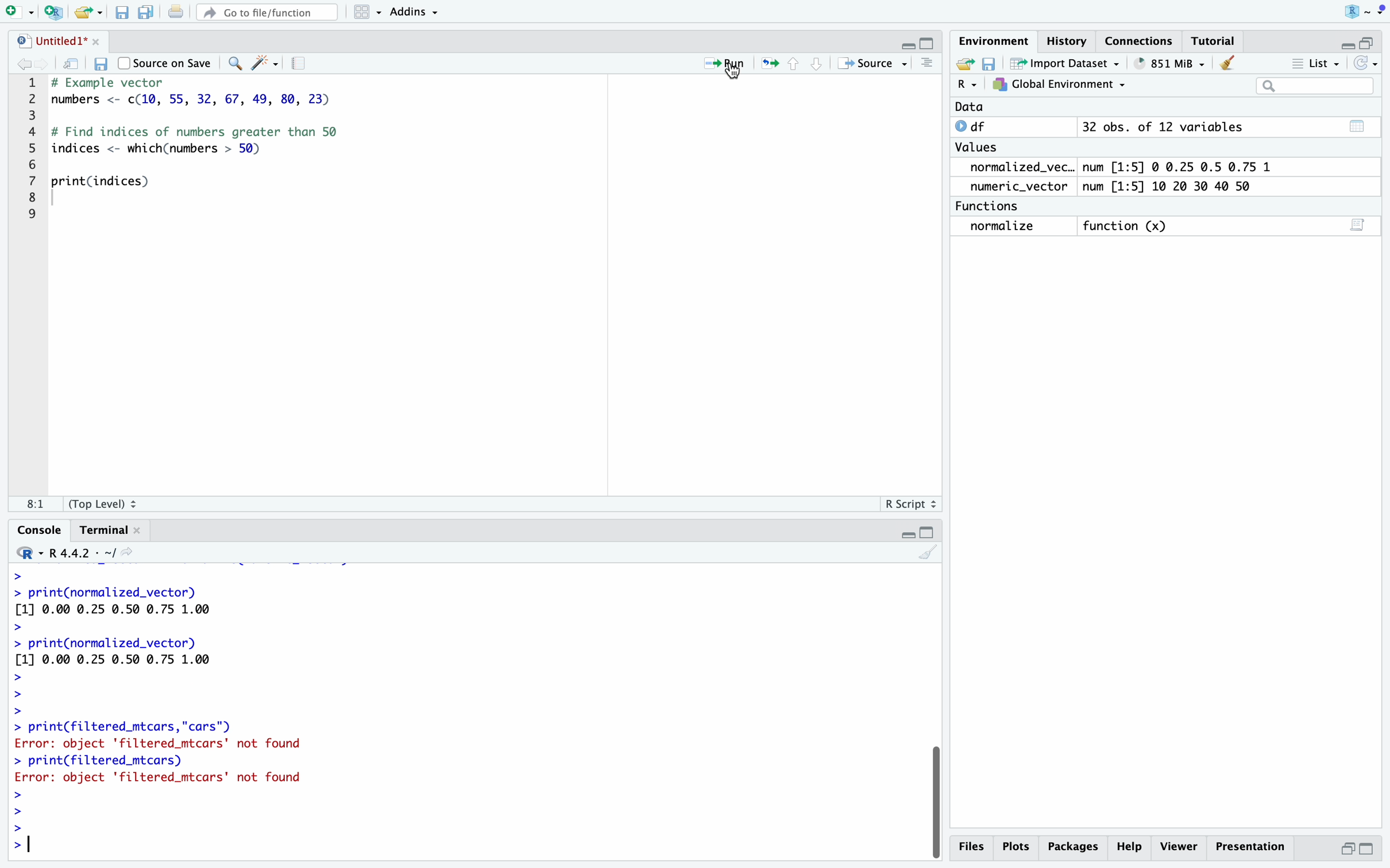 The width and height of the screenshot is (1390, 868). I want to click on REFRESH, so click(1368, 63).